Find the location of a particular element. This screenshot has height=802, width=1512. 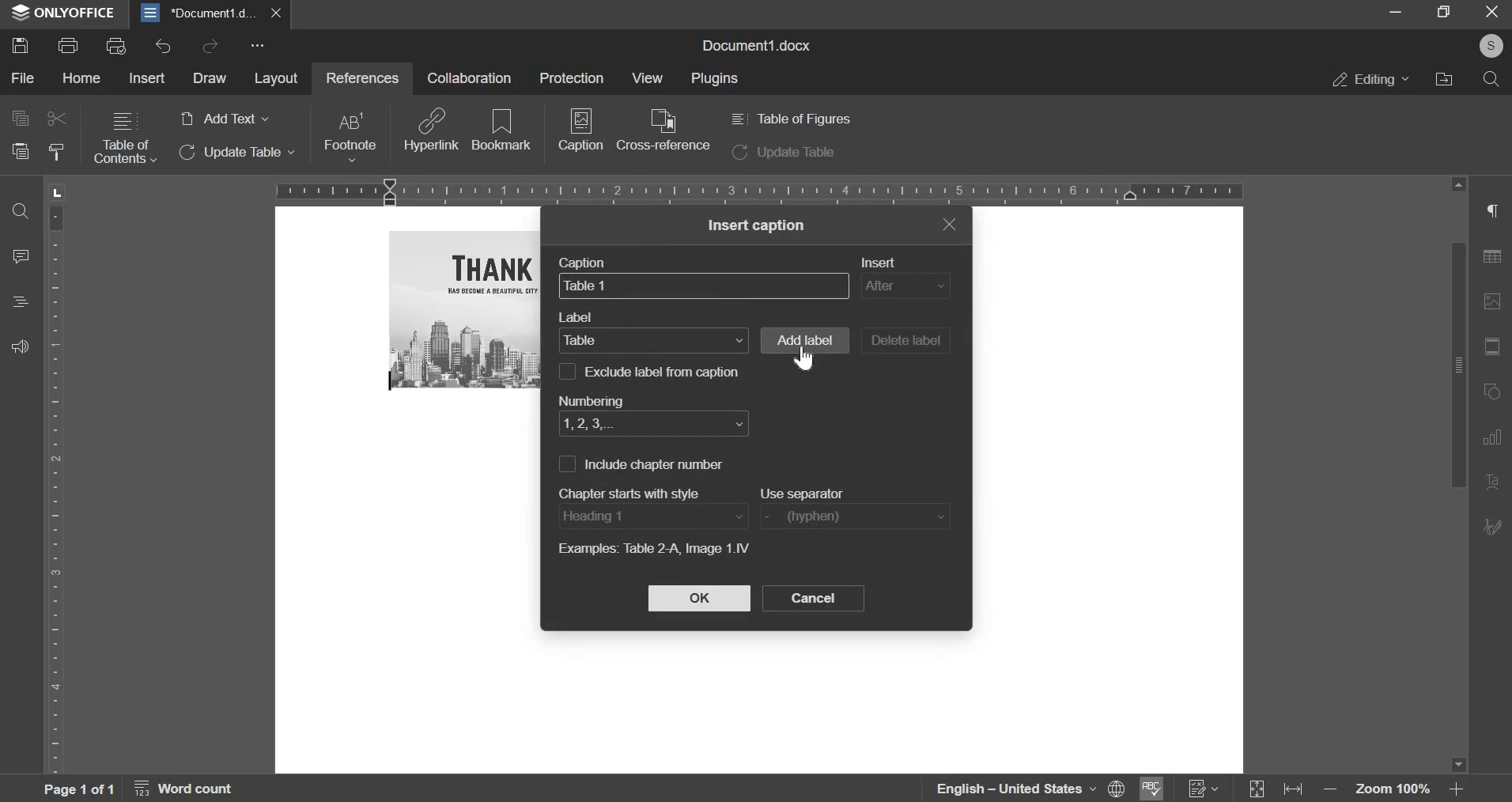

Edit is located at coordinates (1494, 525).